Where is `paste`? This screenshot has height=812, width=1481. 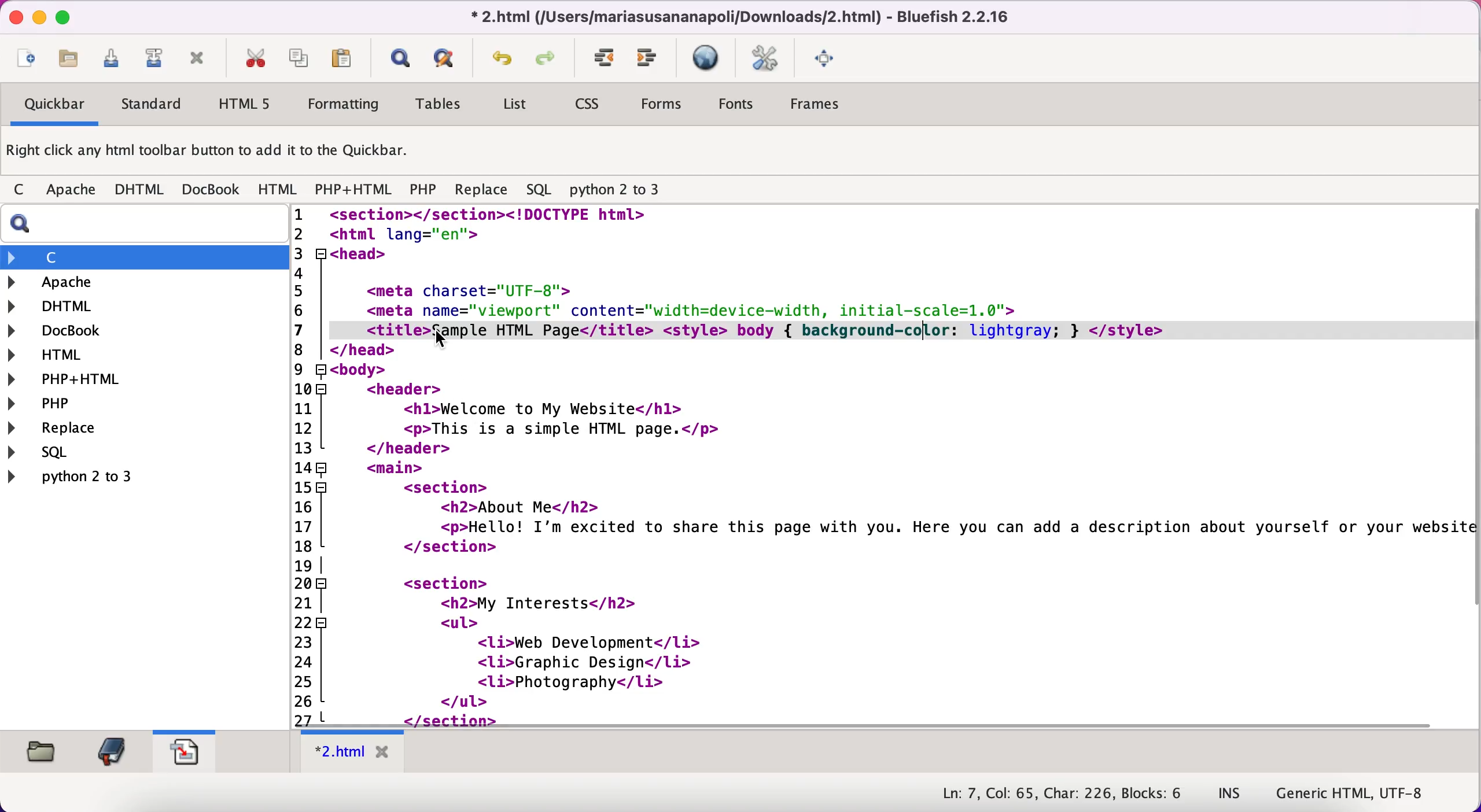 paste is located at coordinates (346, 58).